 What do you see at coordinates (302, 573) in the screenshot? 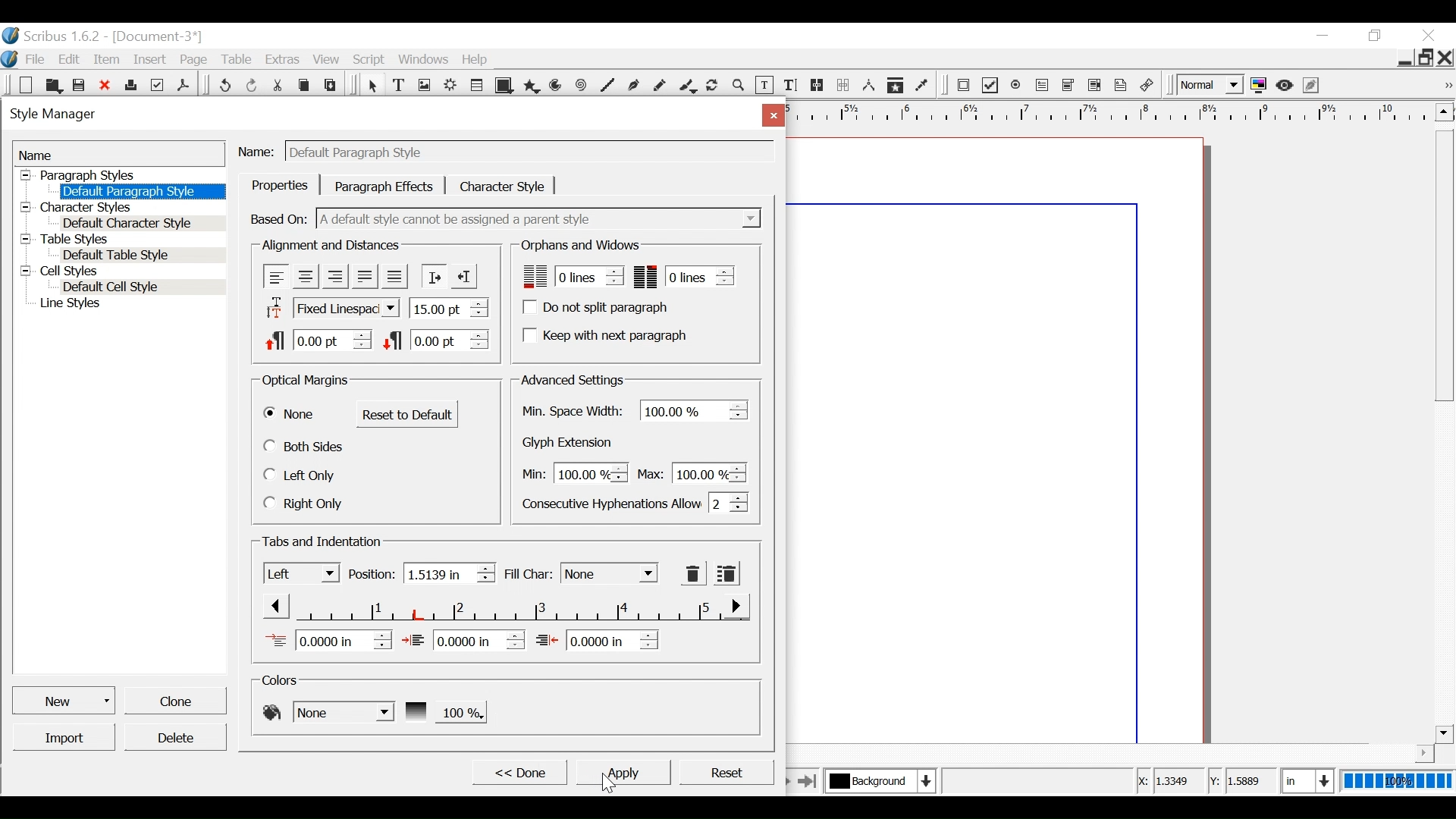
I see `Type or orientation of the tab` at bounding box center [302, 573].